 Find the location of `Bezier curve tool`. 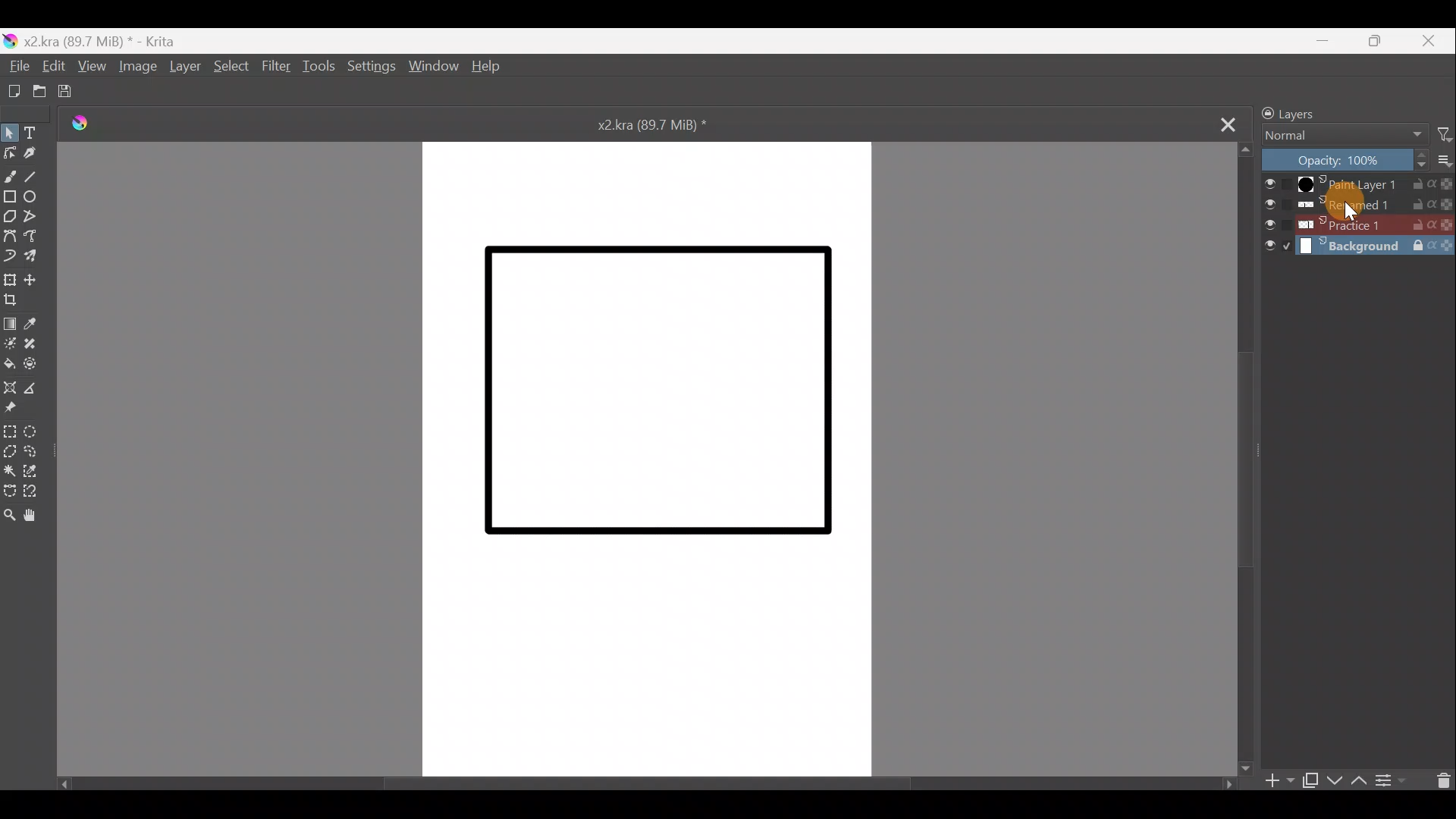

Bezier curve tool is located at coordinates (10, 237).